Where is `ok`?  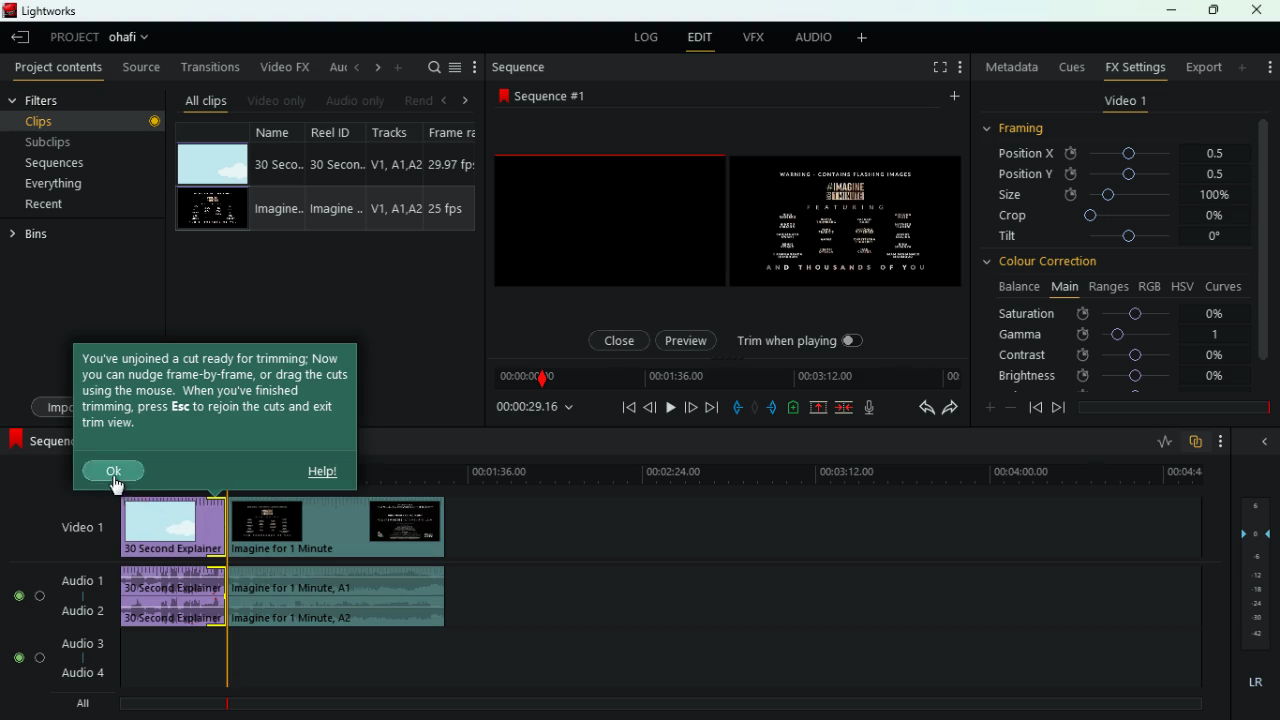
ok is located at coordinates (115, 473).